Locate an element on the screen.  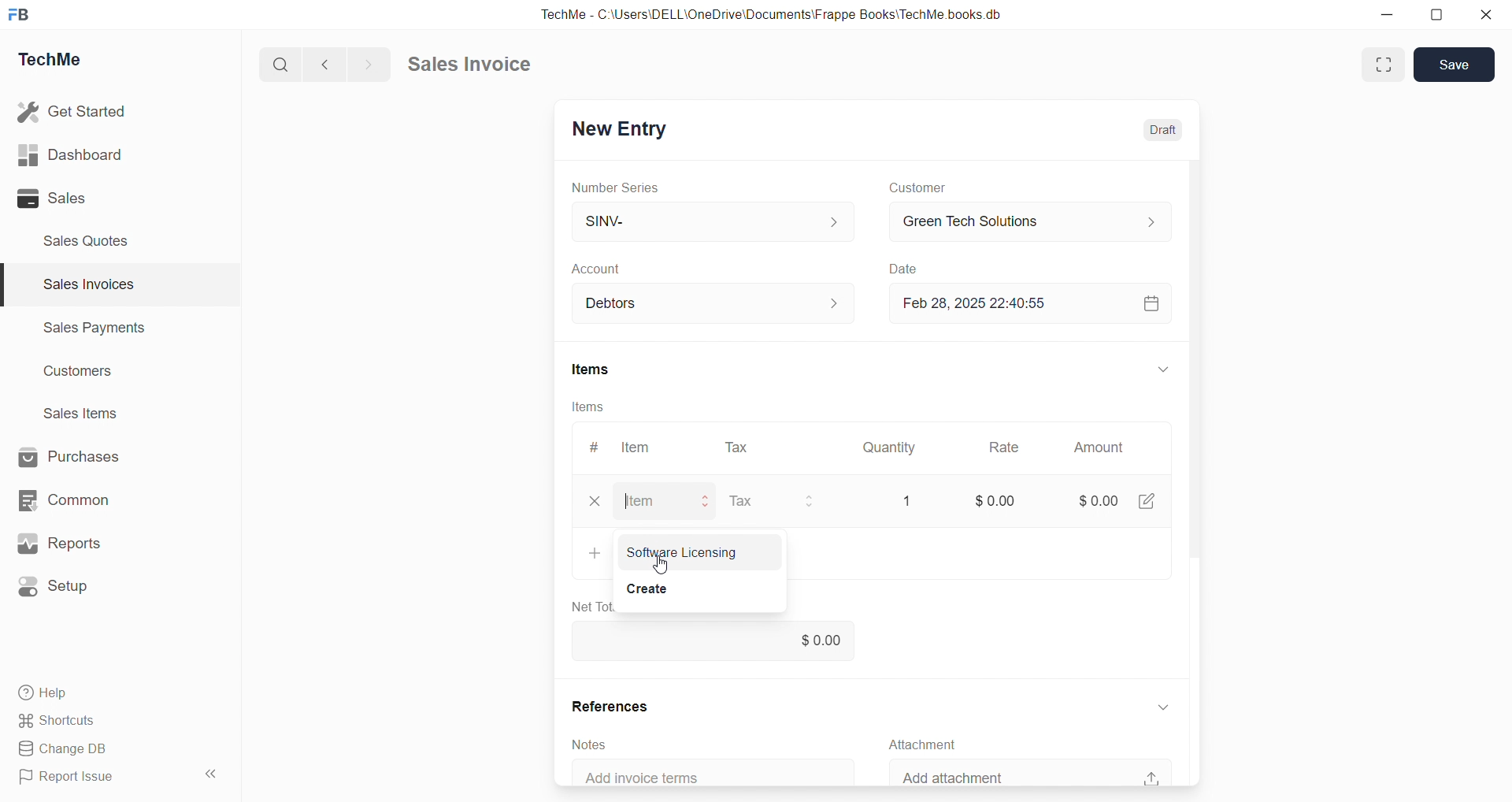
Date is located at coordinates (902, 268).